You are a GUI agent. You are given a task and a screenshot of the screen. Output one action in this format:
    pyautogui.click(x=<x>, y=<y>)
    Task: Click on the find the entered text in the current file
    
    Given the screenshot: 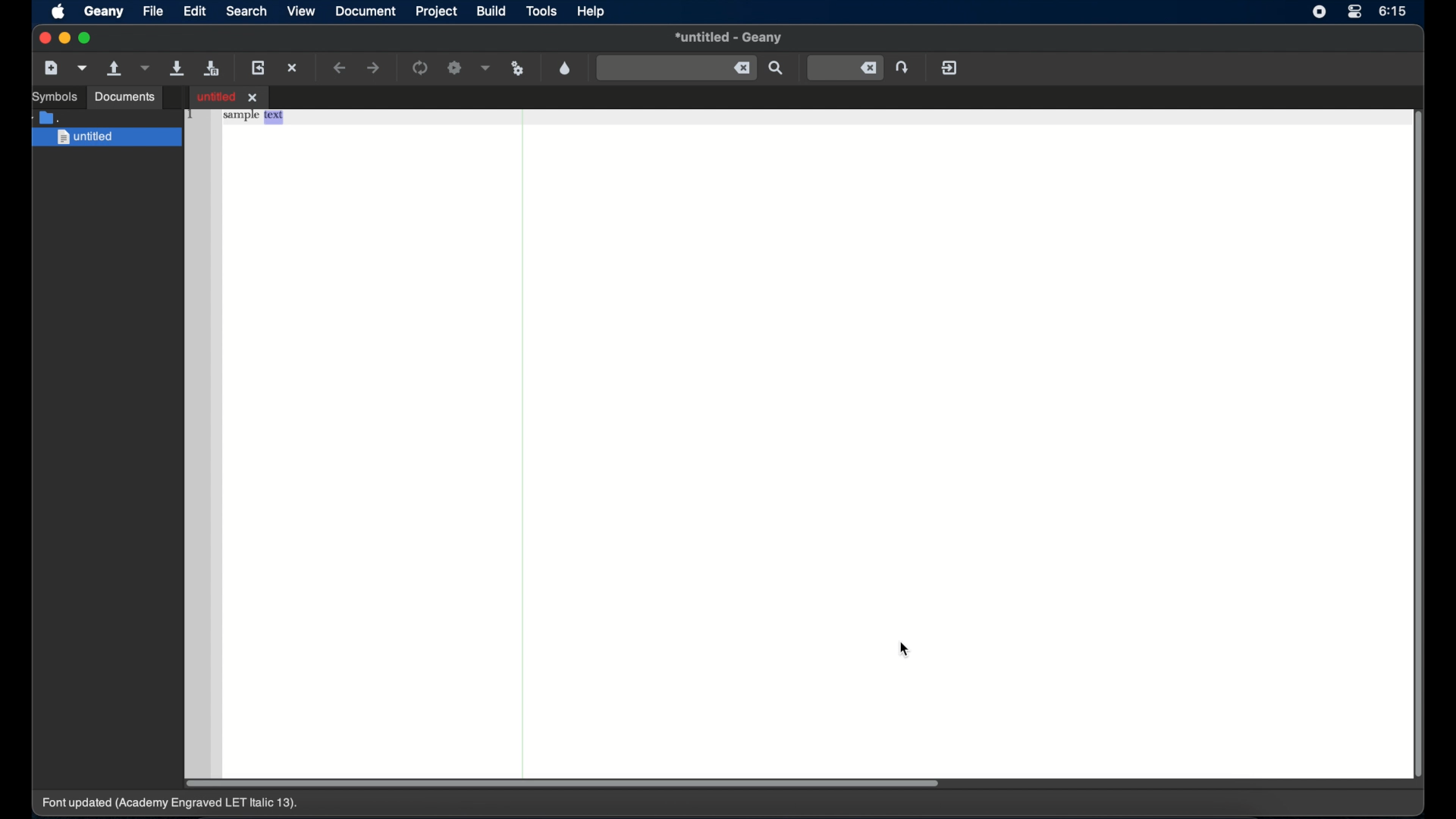 What is the action you would take?
    pyautogui.click(x=777, y=68)
    